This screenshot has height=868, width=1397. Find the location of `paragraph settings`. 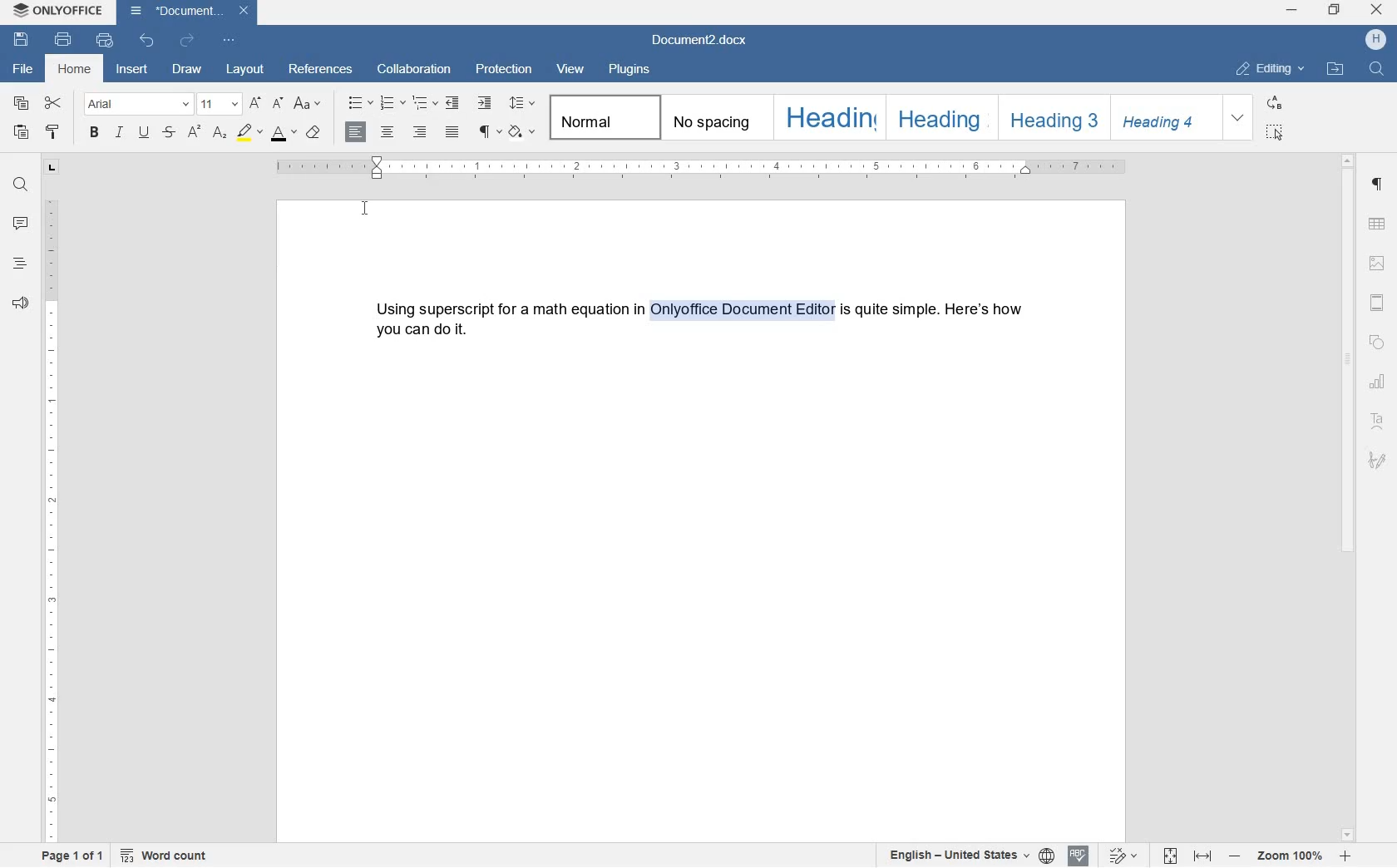

paragraph settings is located at coordinates (1378, 185).